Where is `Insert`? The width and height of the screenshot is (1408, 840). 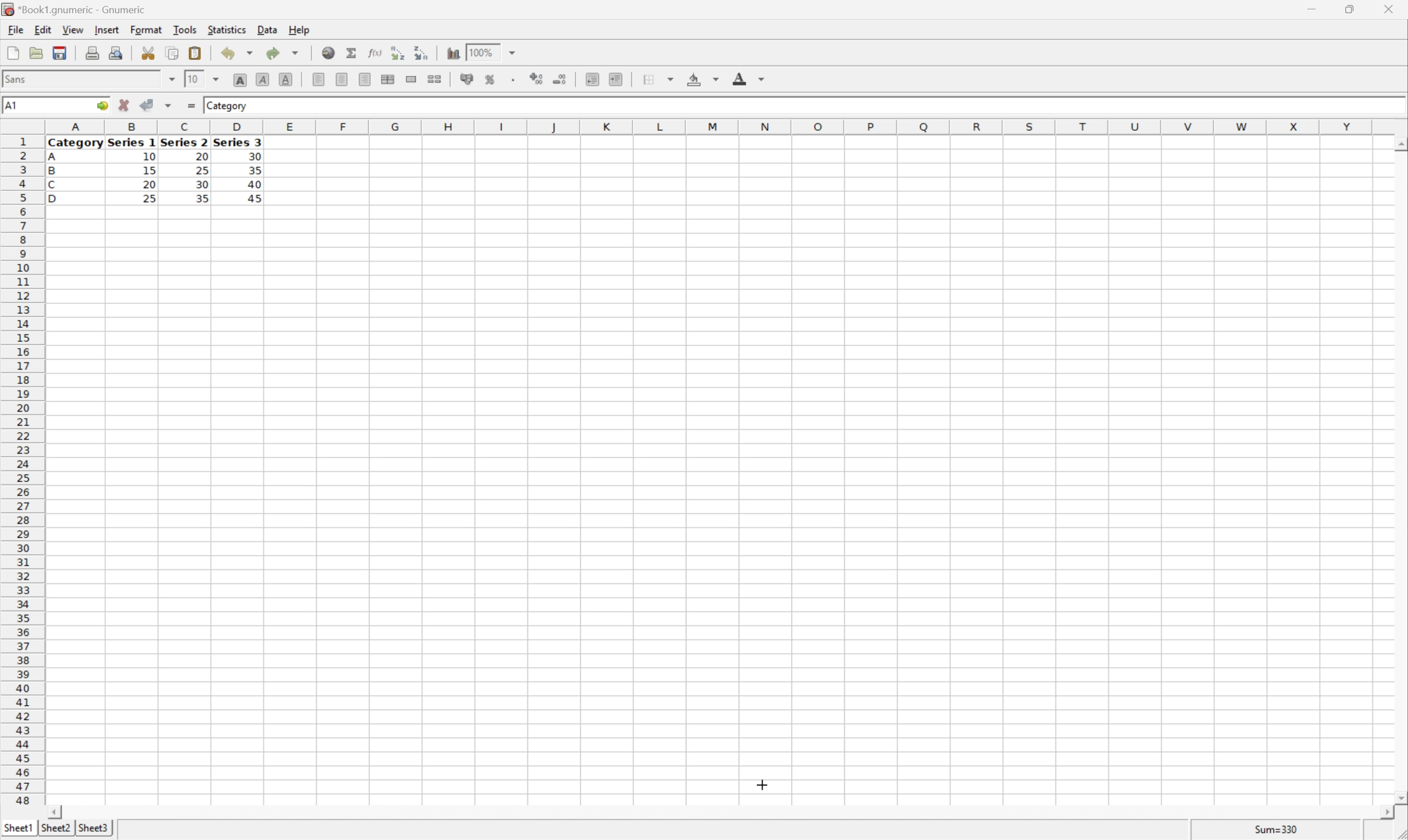 Insert is located at coordinates (108, 30).